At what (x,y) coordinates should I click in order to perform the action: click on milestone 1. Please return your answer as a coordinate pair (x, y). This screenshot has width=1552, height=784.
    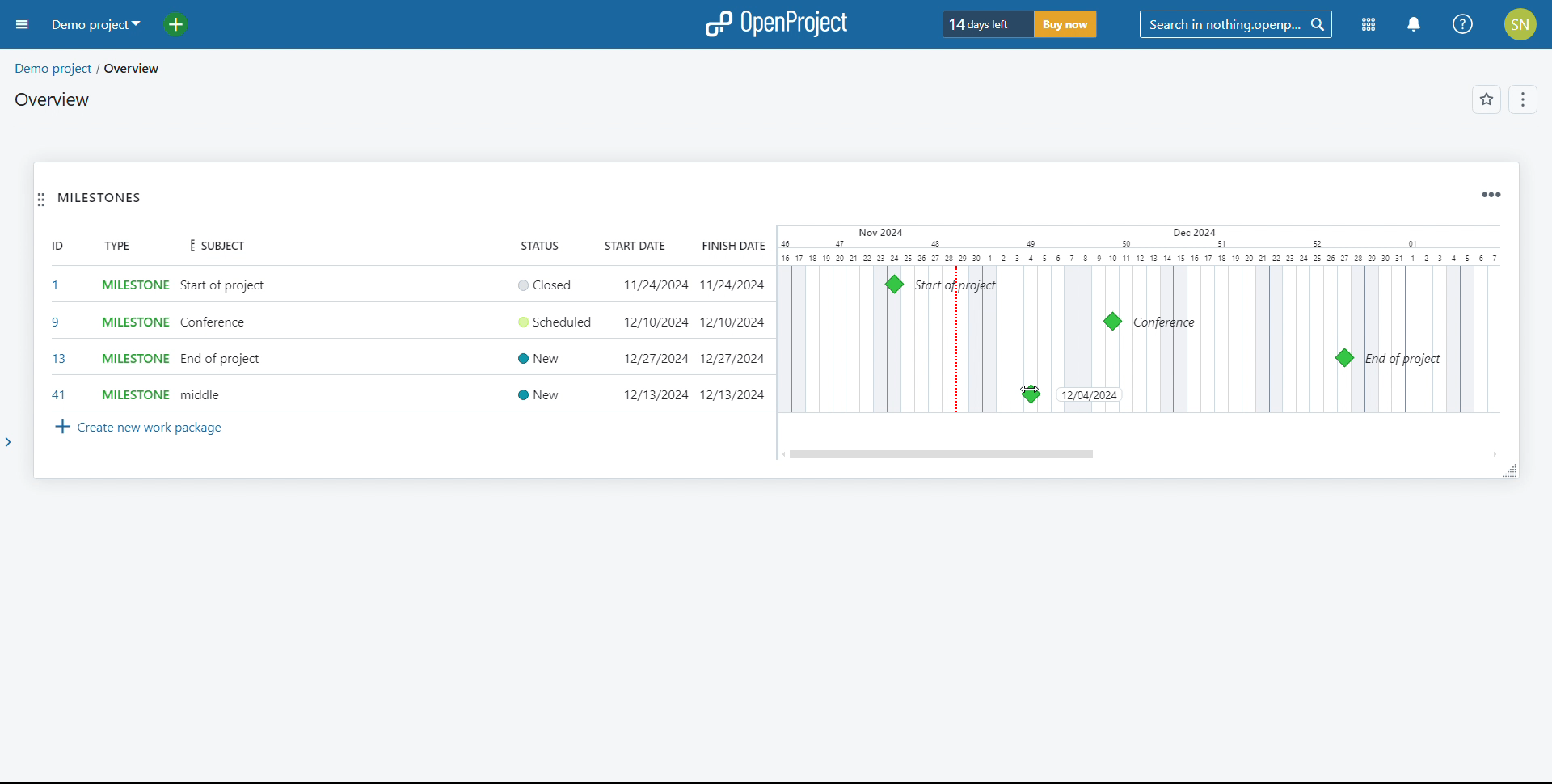
    Looking at the image, I should click on (894, 284).